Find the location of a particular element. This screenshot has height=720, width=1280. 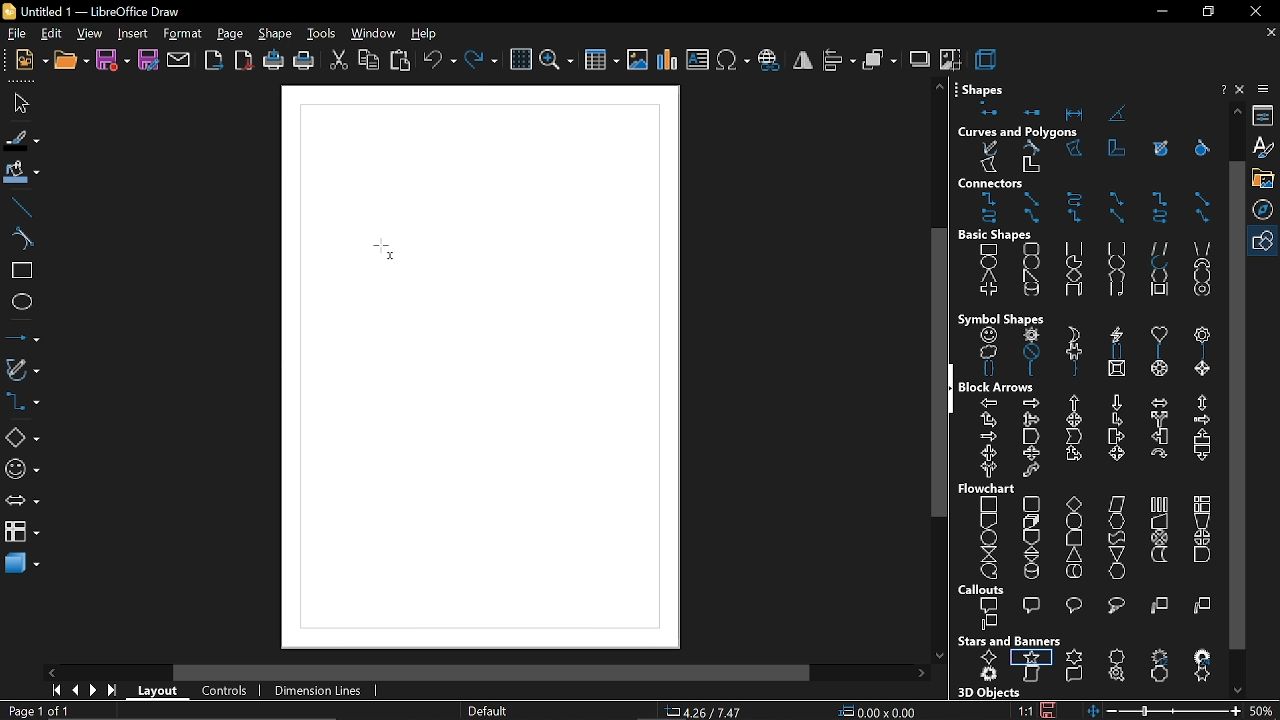

close is located at coordinates (1255, 11).